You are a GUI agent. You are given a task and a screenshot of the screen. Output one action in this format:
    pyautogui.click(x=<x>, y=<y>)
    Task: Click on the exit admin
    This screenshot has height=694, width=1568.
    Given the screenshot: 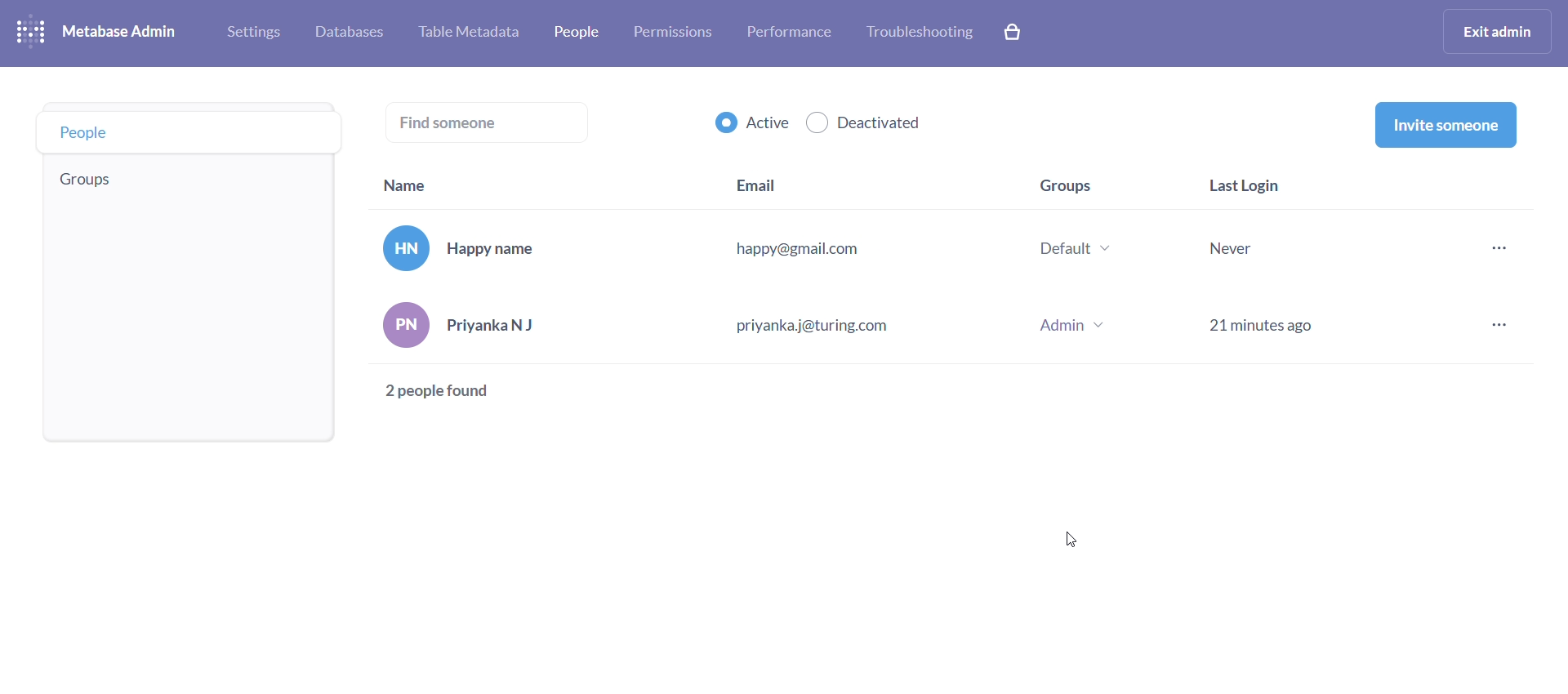 What is the action you would take?
    pyautogui.click(x=1500, y=31)
    